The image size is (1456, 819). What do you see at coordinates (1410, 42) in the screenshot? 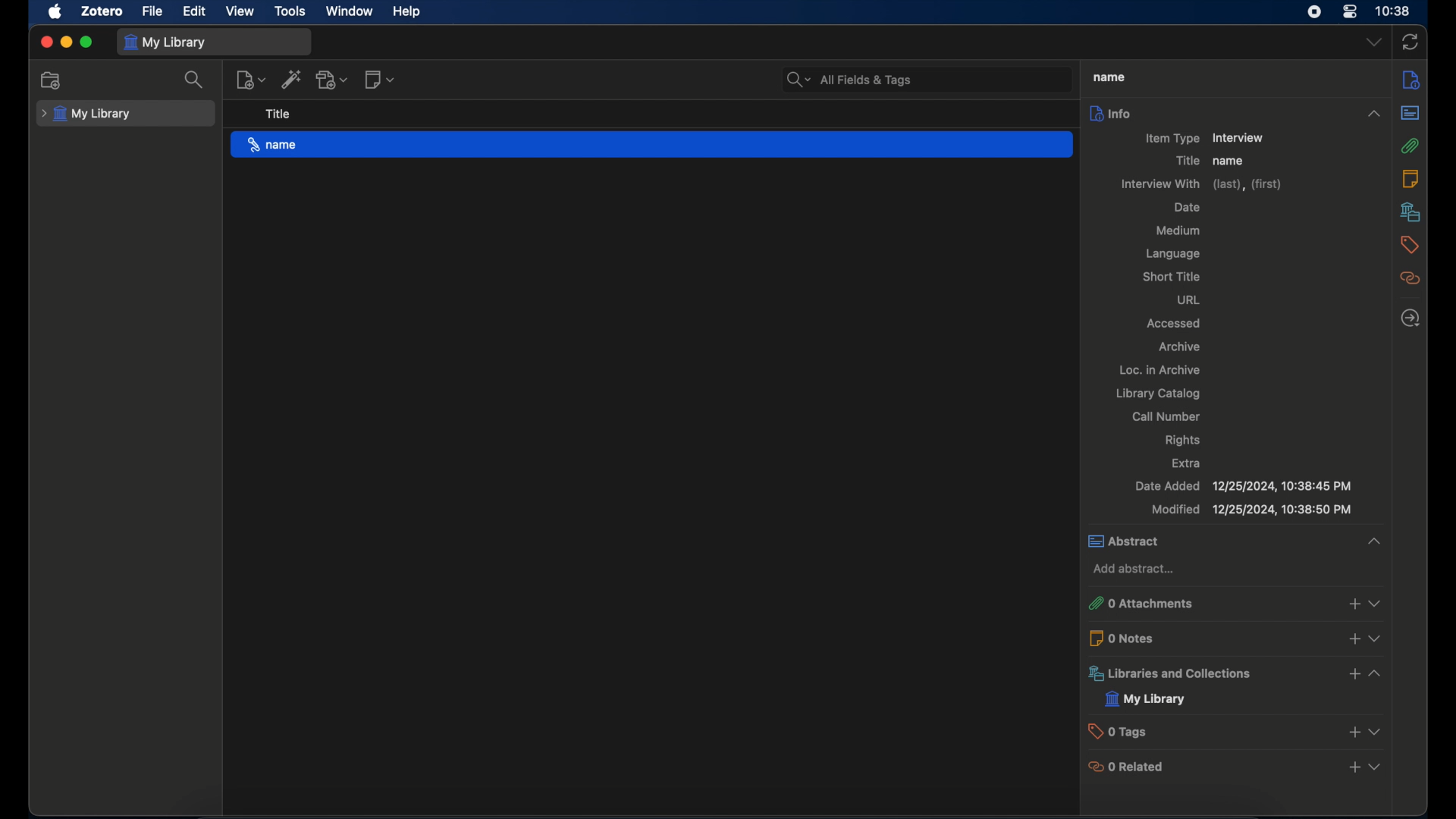
I see `sync` at bounding box center [1410, 42].